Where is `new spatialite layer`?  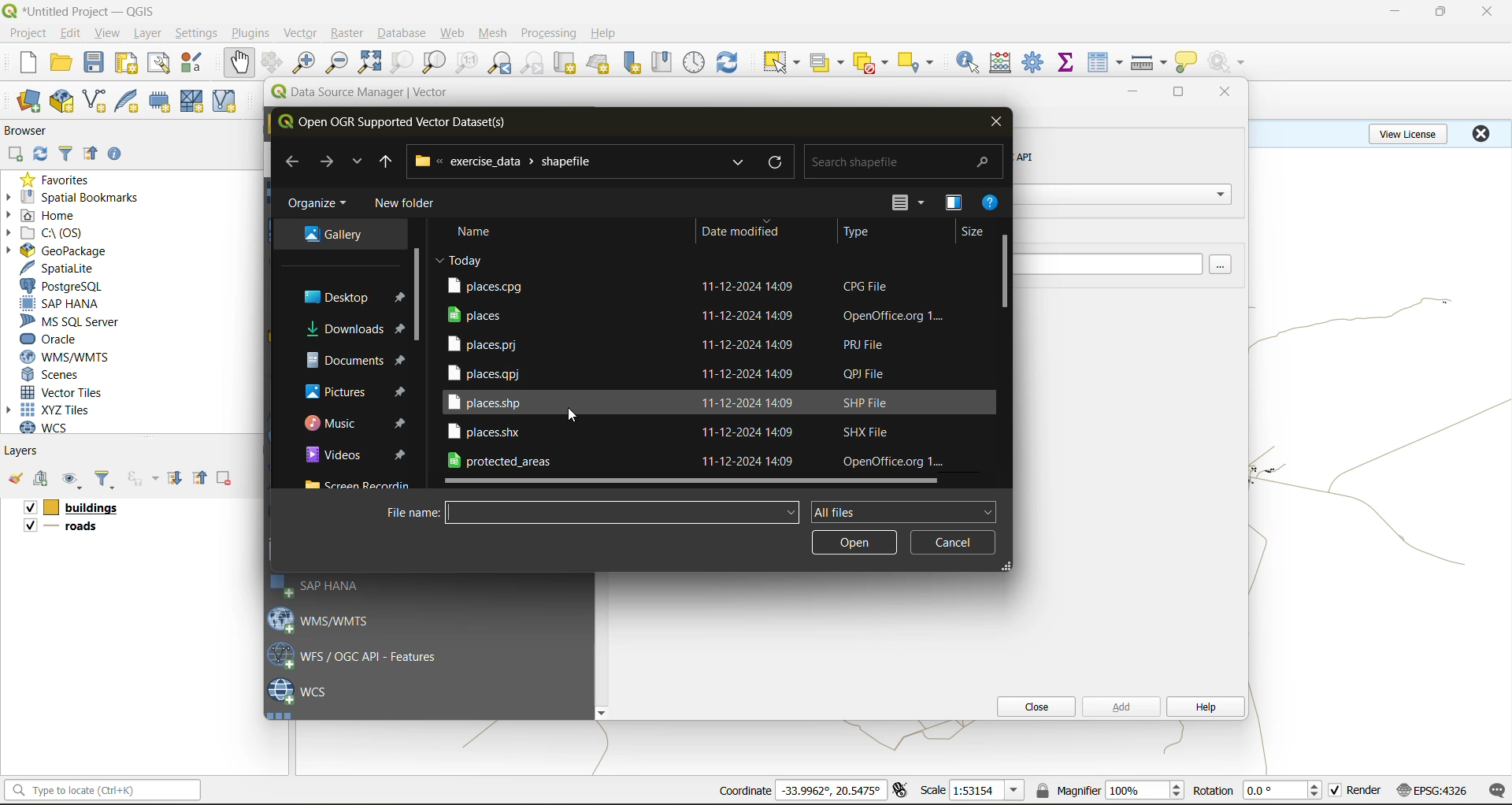
new spatialite layer is located at coordinates (131, 99).